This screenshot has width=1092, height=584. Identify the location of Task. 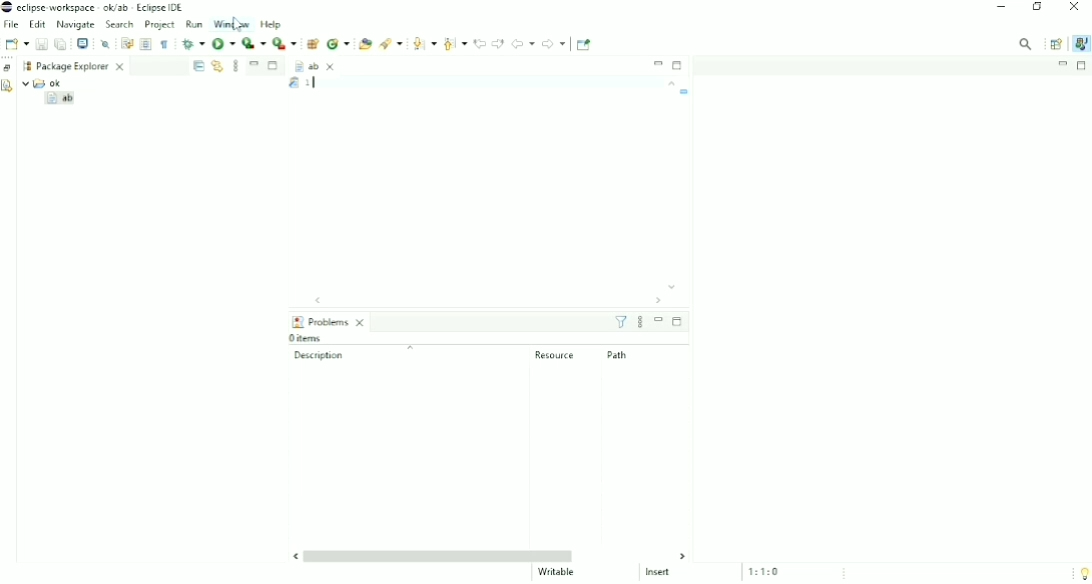
(311, 83).